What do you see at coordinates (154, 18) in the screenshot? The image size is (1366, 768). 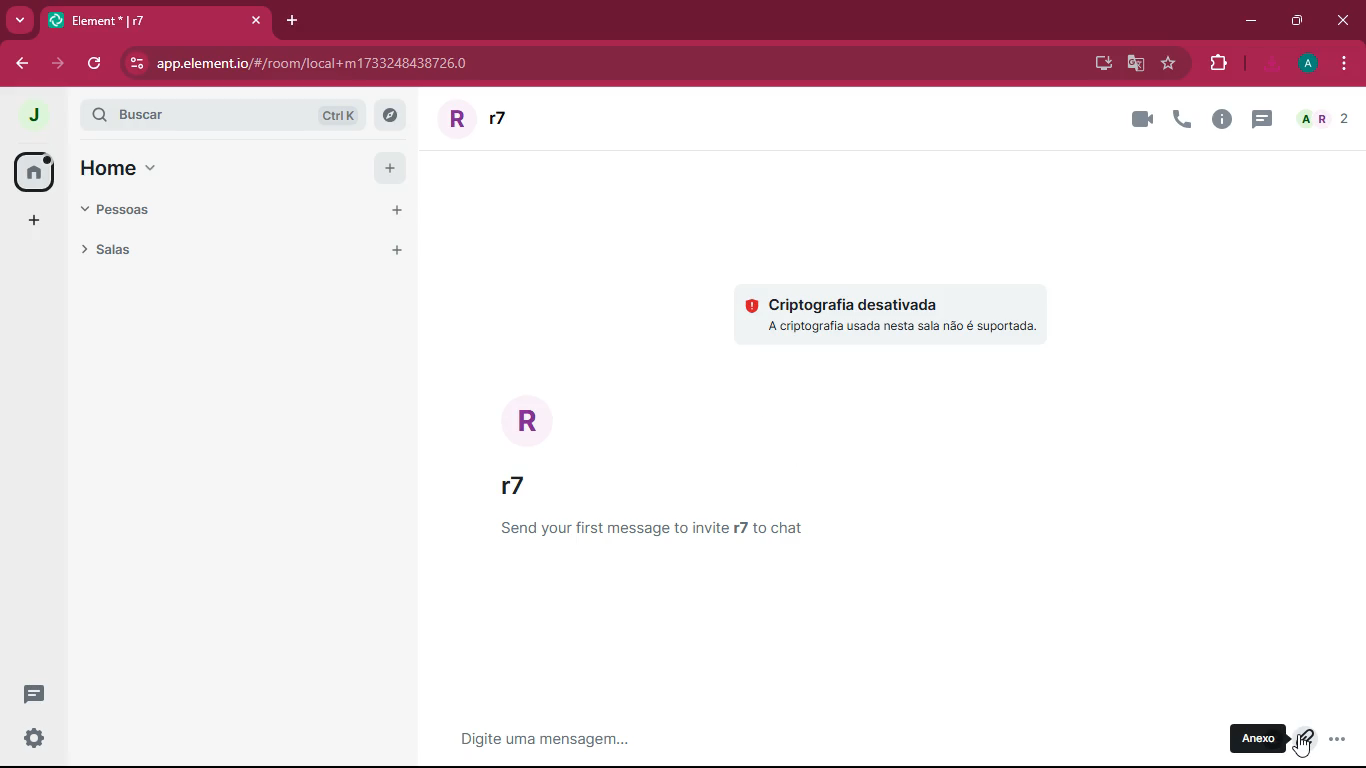 I see `element* |r7` at bounding box center [154, 18].